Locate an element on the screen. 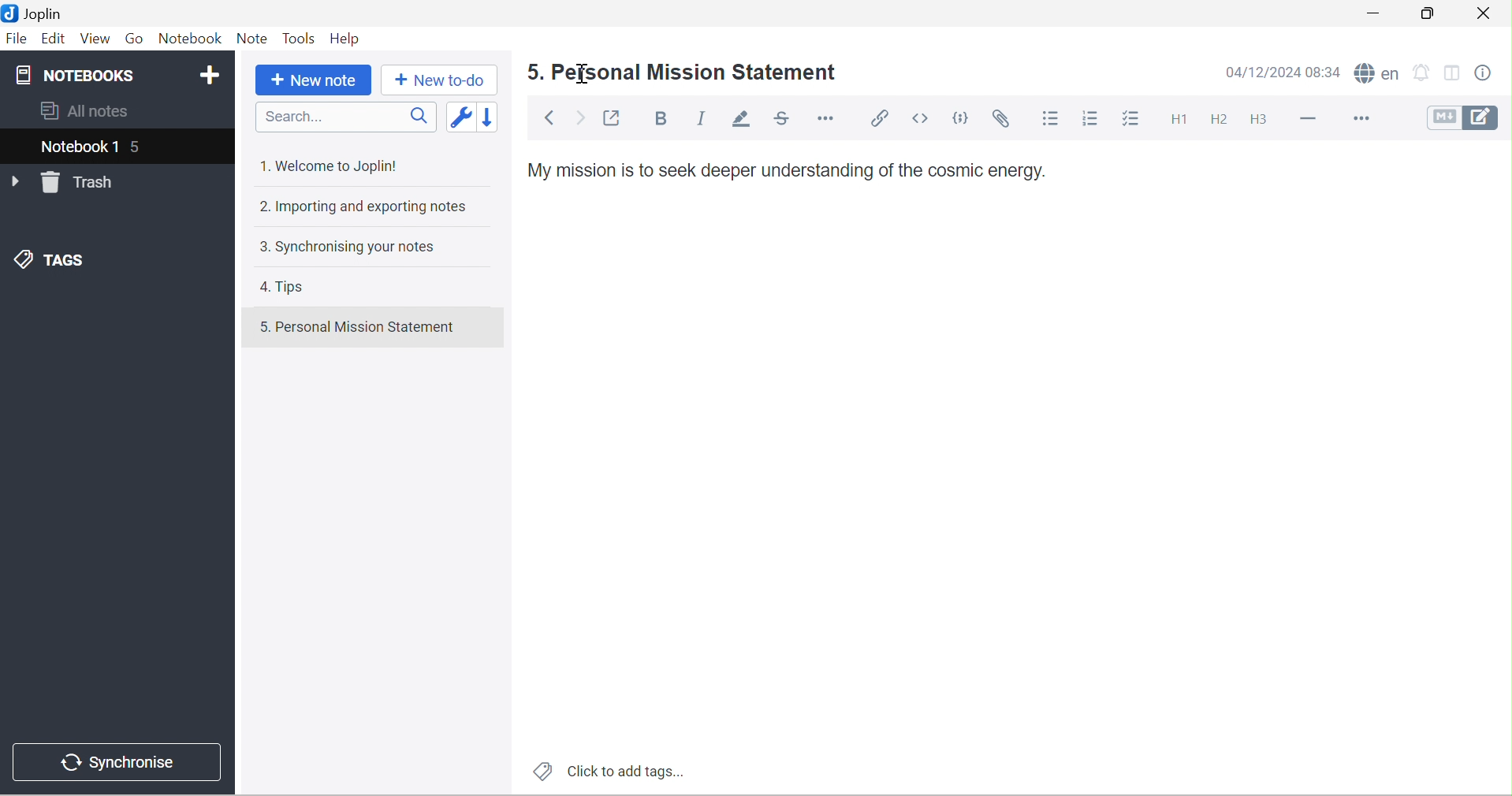  Strikethrough is located at coordinates (784, 117).